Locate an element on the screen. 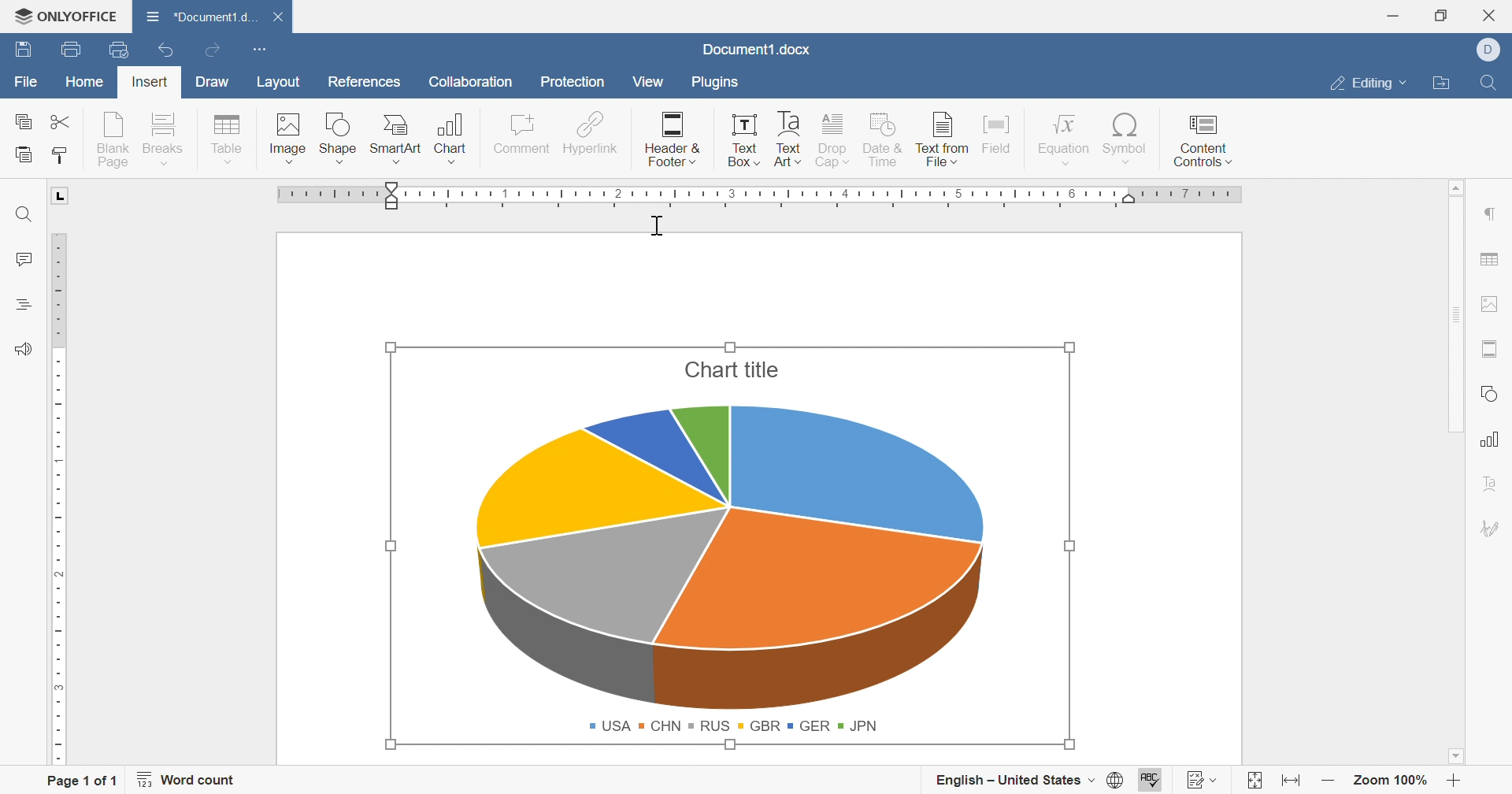 The width and height of the screenshot is (1512, 794). Table settings is located at coordinates (1493, 257).